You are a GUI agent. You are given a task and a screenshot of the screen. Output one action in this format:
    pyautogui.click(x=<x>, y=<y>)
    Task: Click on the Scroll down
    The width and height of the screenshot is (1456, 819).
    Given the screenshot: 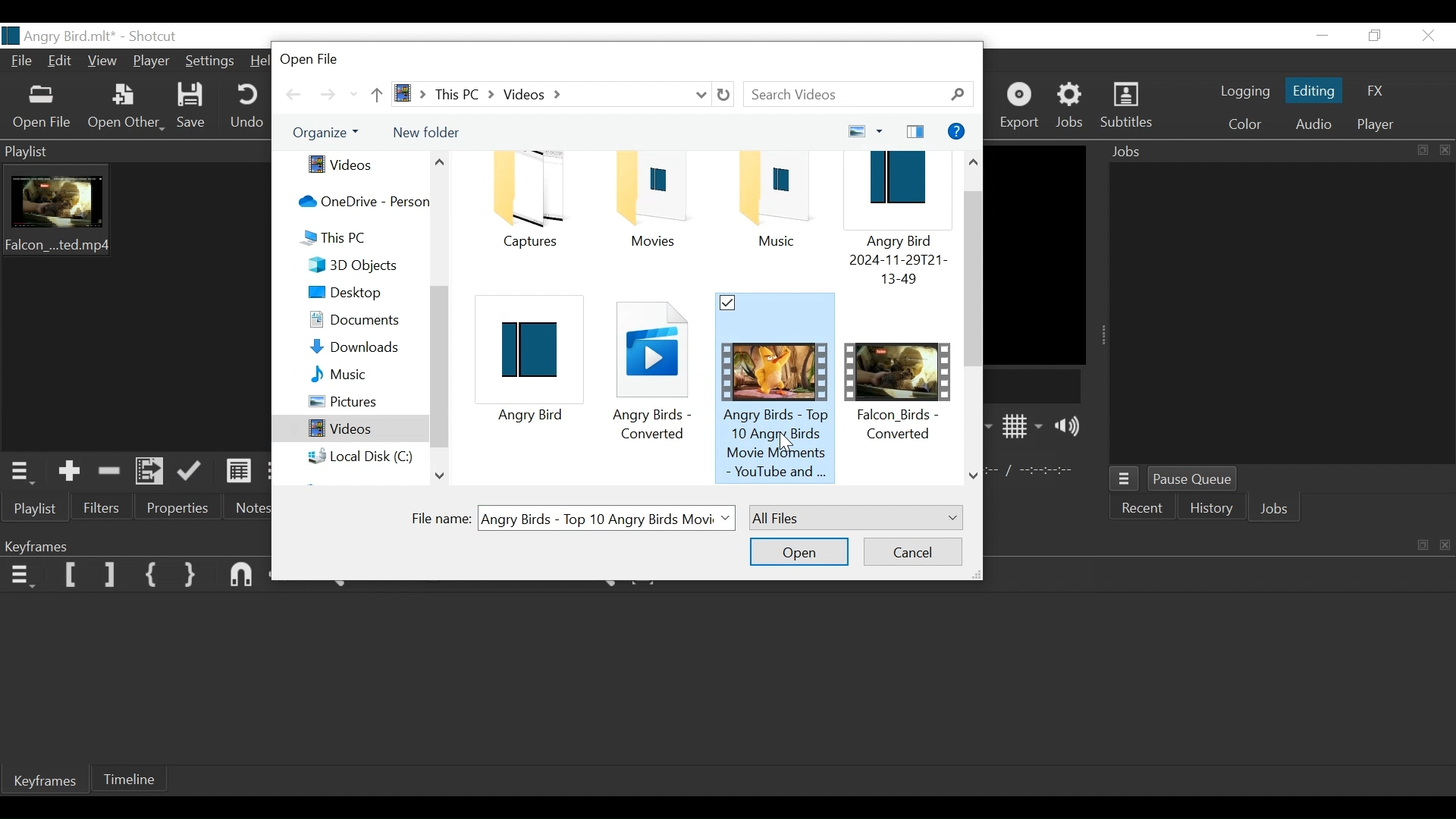 What is the action you would take?
    pyautogui.click(x=440, y=478)
    